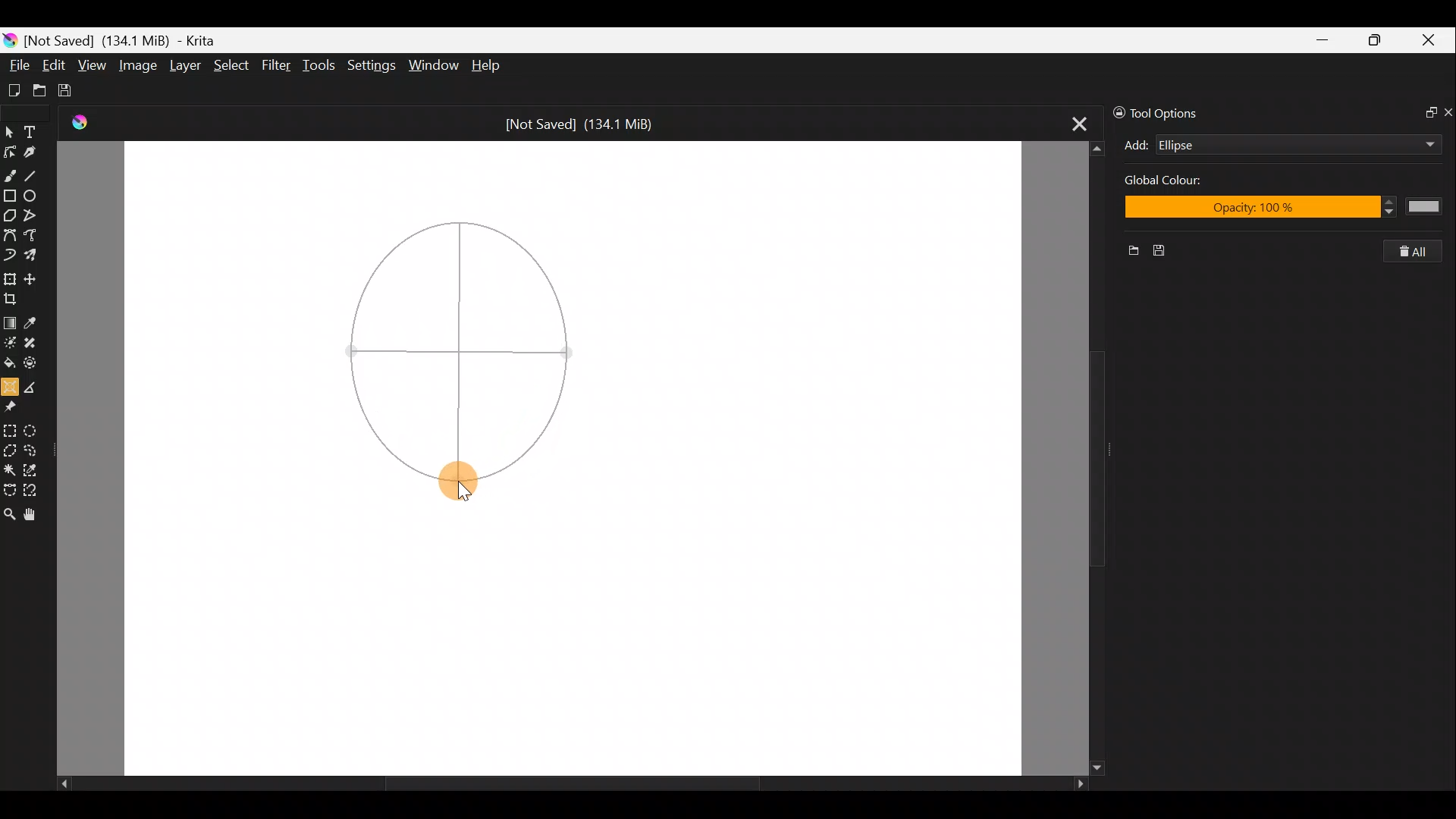 Image resolution: width=1456 pixels, height=819 pixels. Describe the element at coordinates (10, 129) in the screenshot. I see `Select shapes tool` at that location.